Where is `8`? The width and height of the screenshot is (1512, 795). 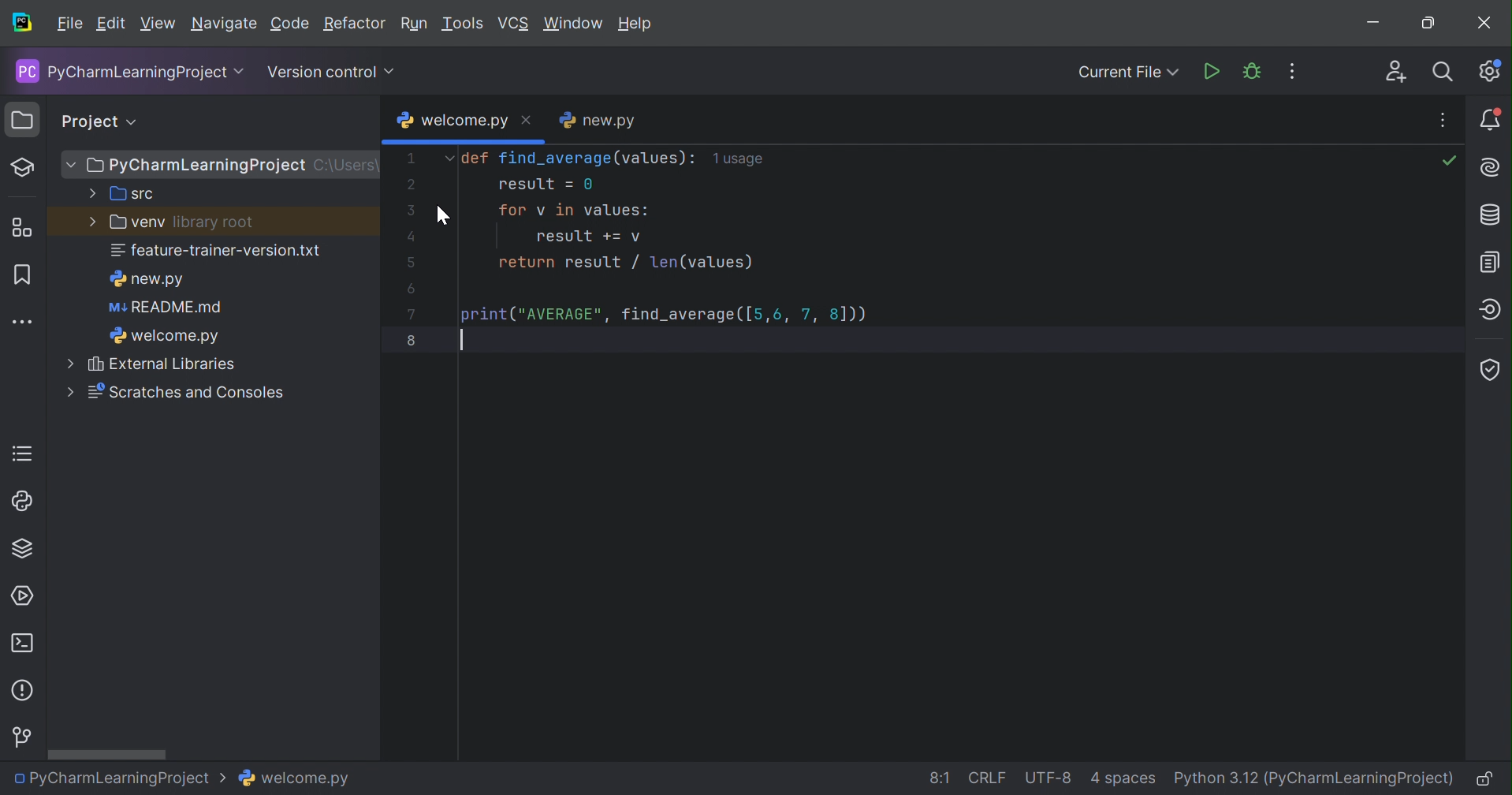 8 is located at coordinates (415, 341).